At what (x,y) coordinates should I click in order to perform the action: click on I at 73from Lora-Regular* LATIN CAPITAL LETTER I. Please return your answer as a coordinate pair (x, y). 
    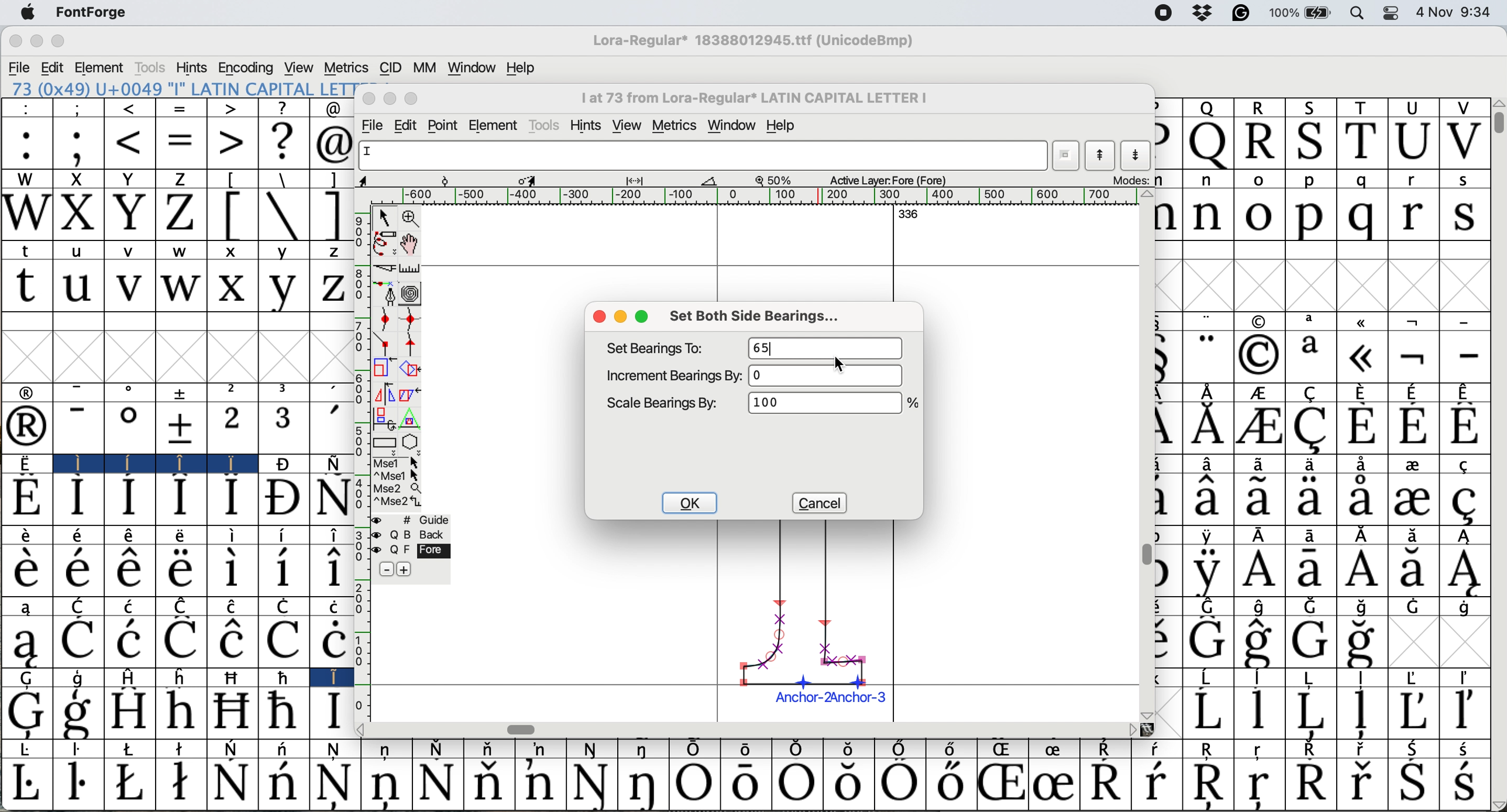
    Looking at the image, I should click on (761, 101).